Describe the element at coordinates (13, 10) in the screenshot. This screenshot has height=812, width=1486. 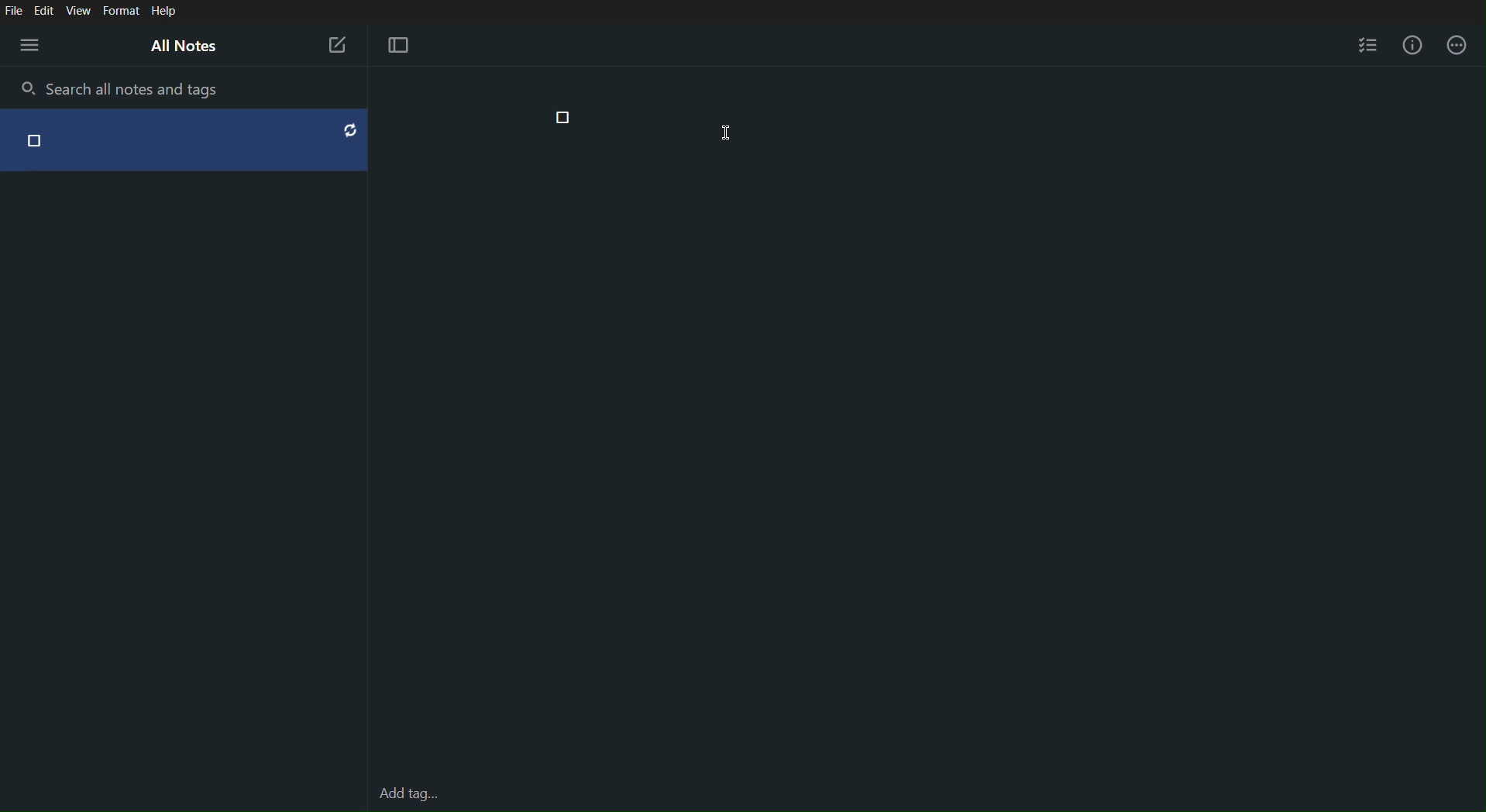
I see `File` at that location.